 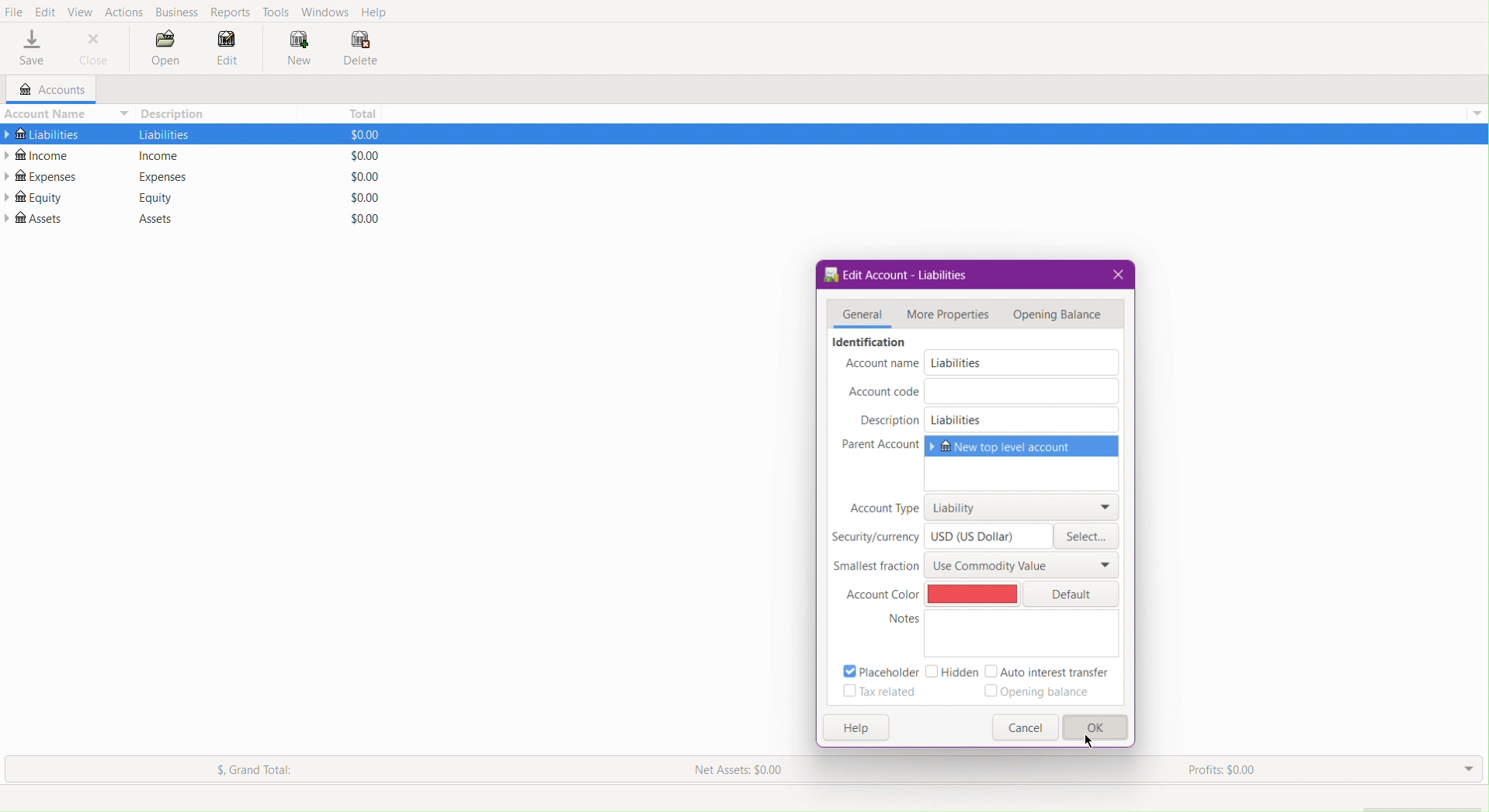 I want to click on Expenses, so click(x=161, y=176).